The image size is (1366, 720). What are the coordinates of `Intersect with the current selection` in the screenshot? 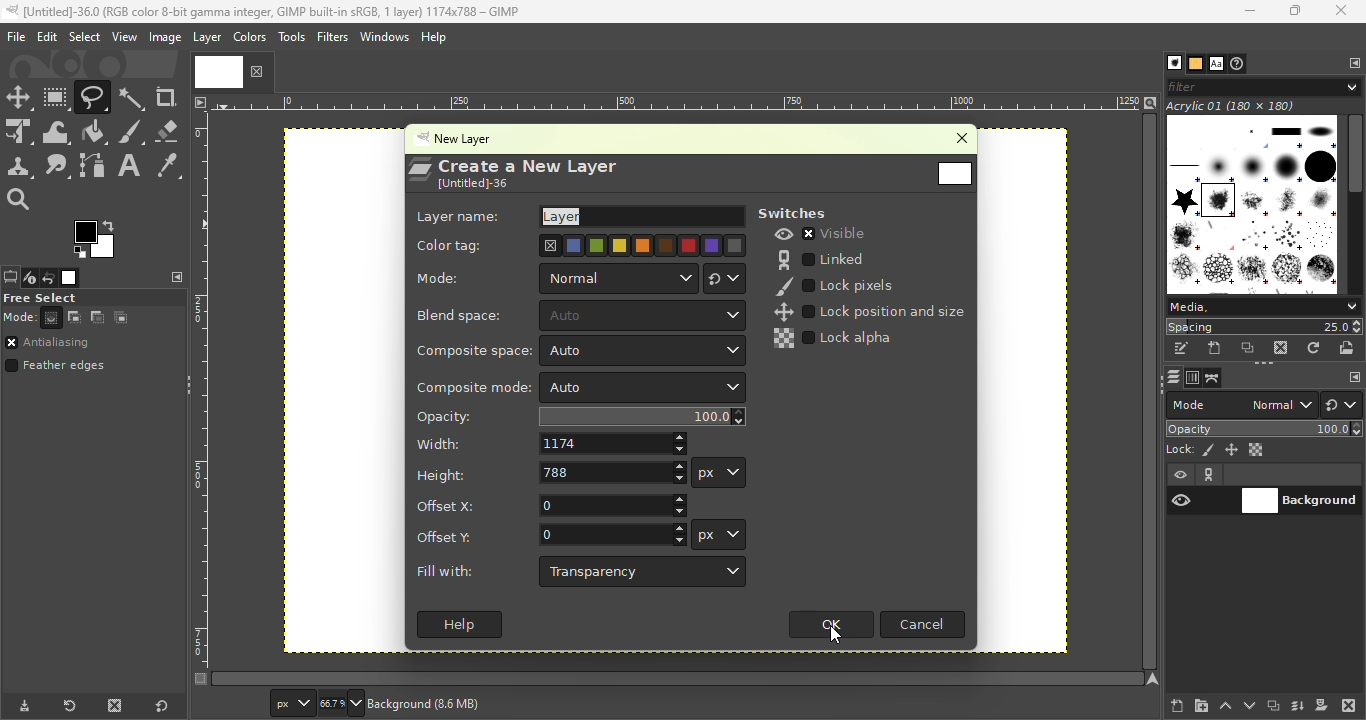 It's located at (126, 317).